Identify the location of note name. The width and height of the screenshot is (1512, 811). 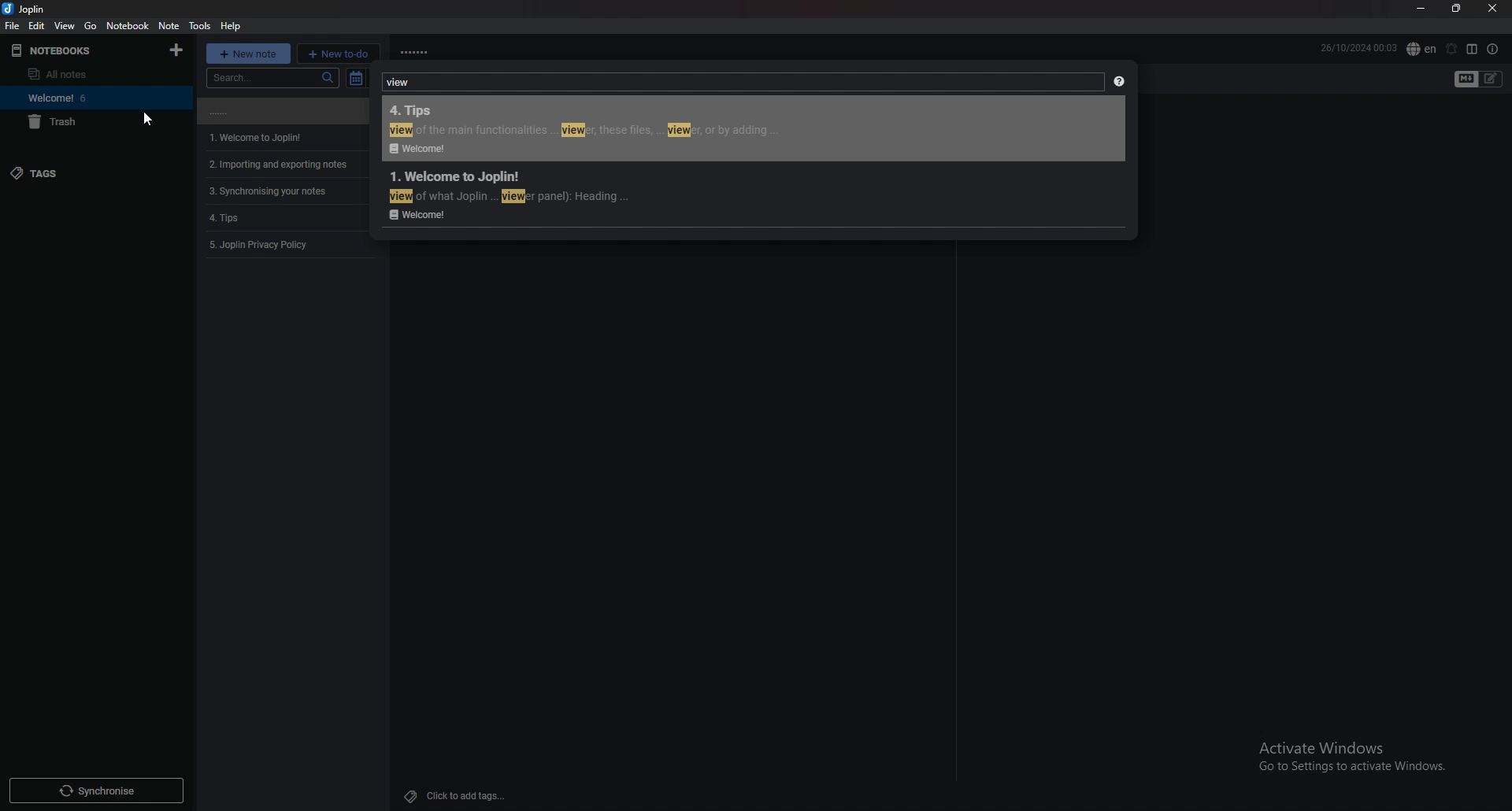
(436, 50).